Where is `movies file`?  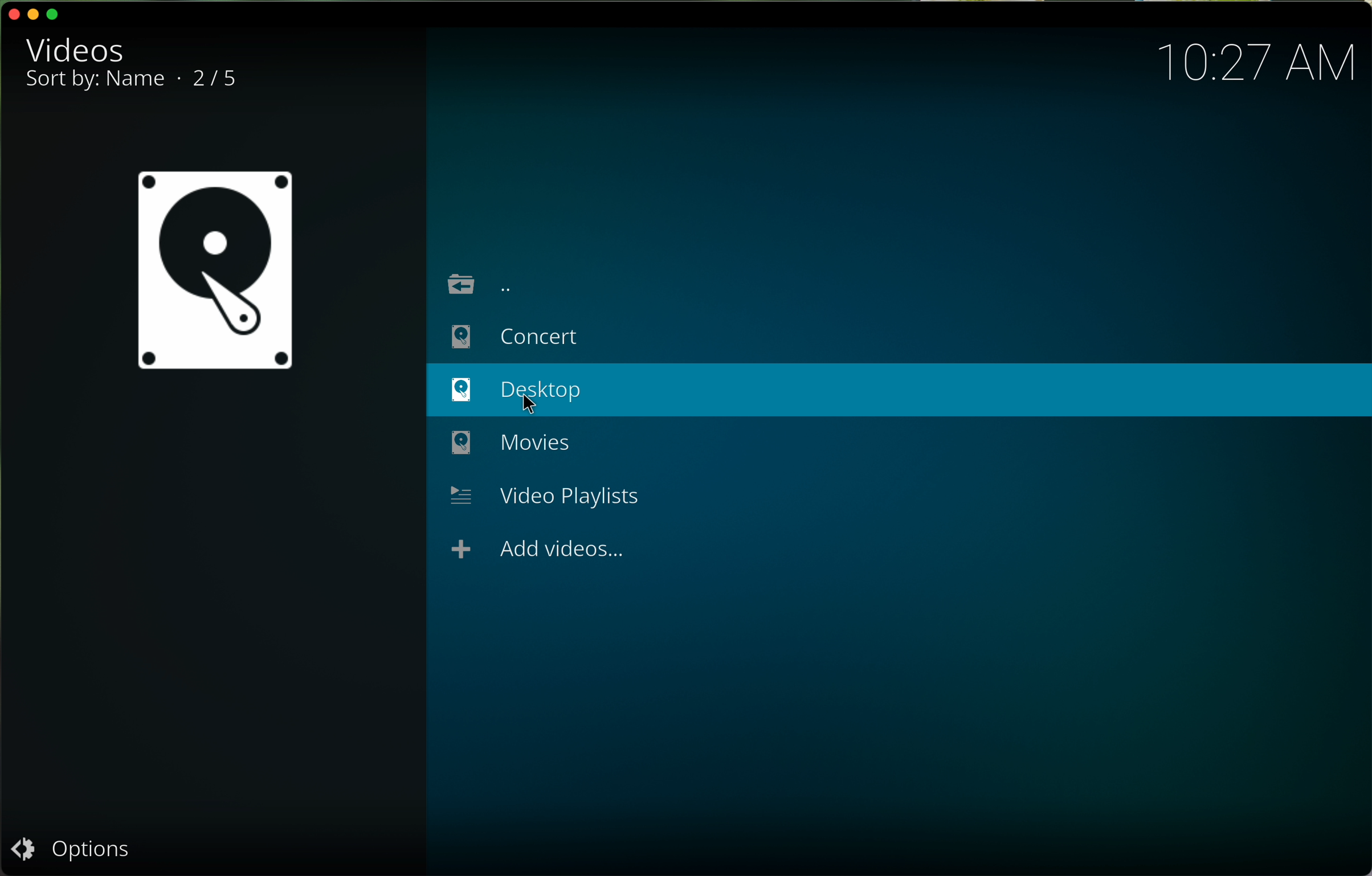 movies file is located at coordinates (503, 444).